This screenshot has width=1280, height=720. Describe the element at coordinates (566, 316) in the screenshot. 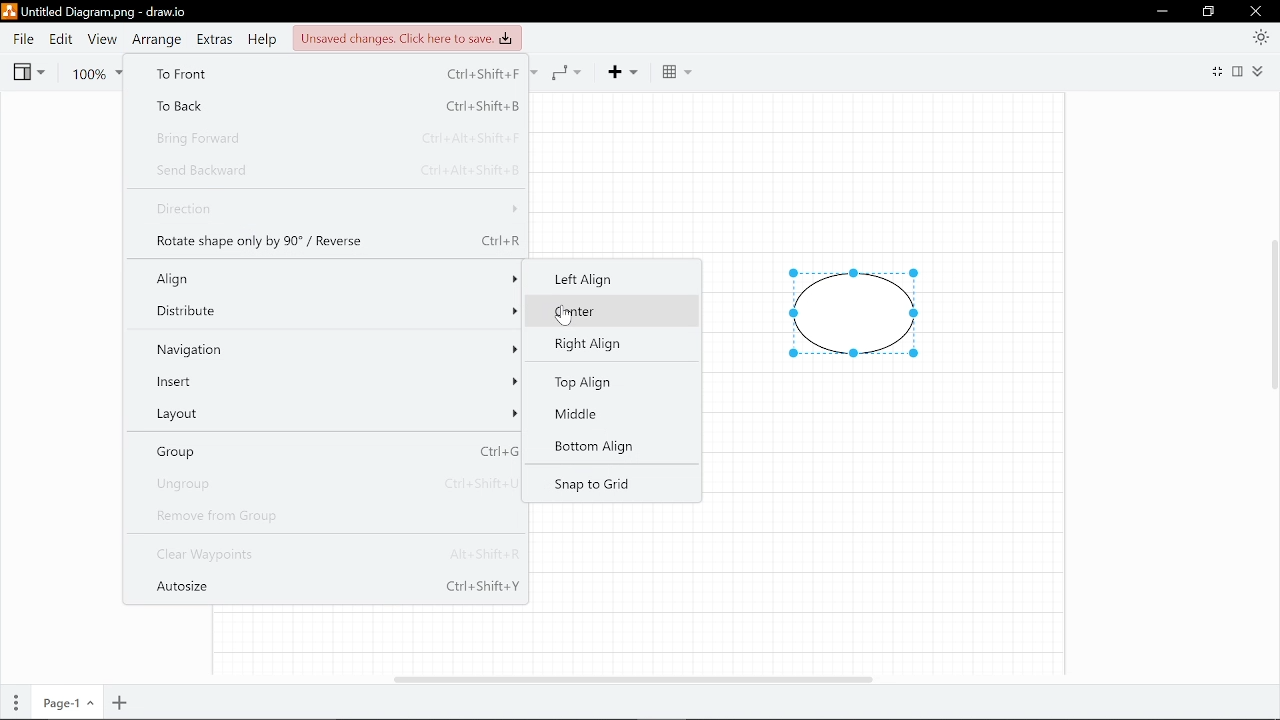

I see `Cursor` at that location.